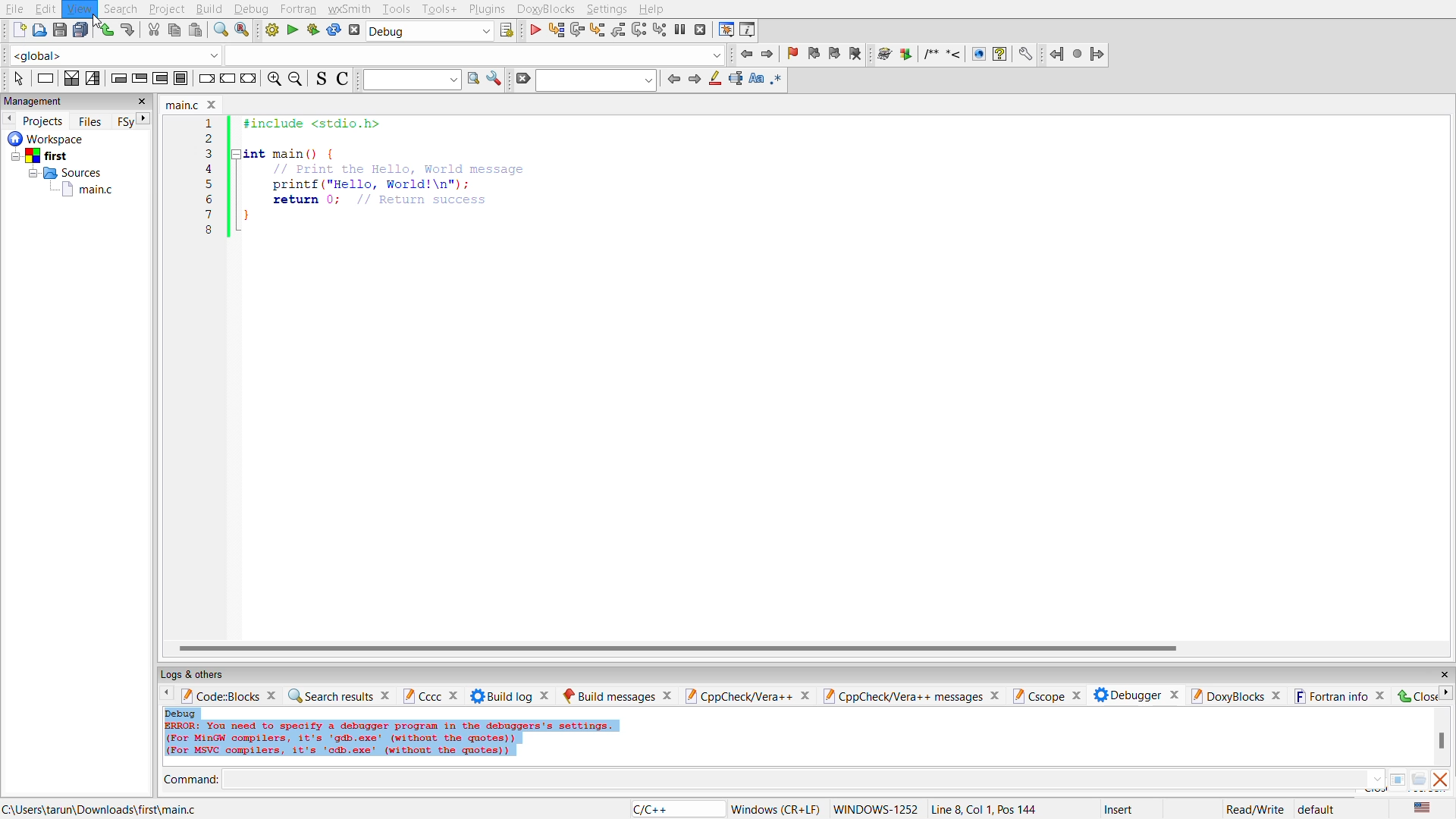 This screenshot has height=819, width=1456. I want to click on pane, so click(1401, 780).